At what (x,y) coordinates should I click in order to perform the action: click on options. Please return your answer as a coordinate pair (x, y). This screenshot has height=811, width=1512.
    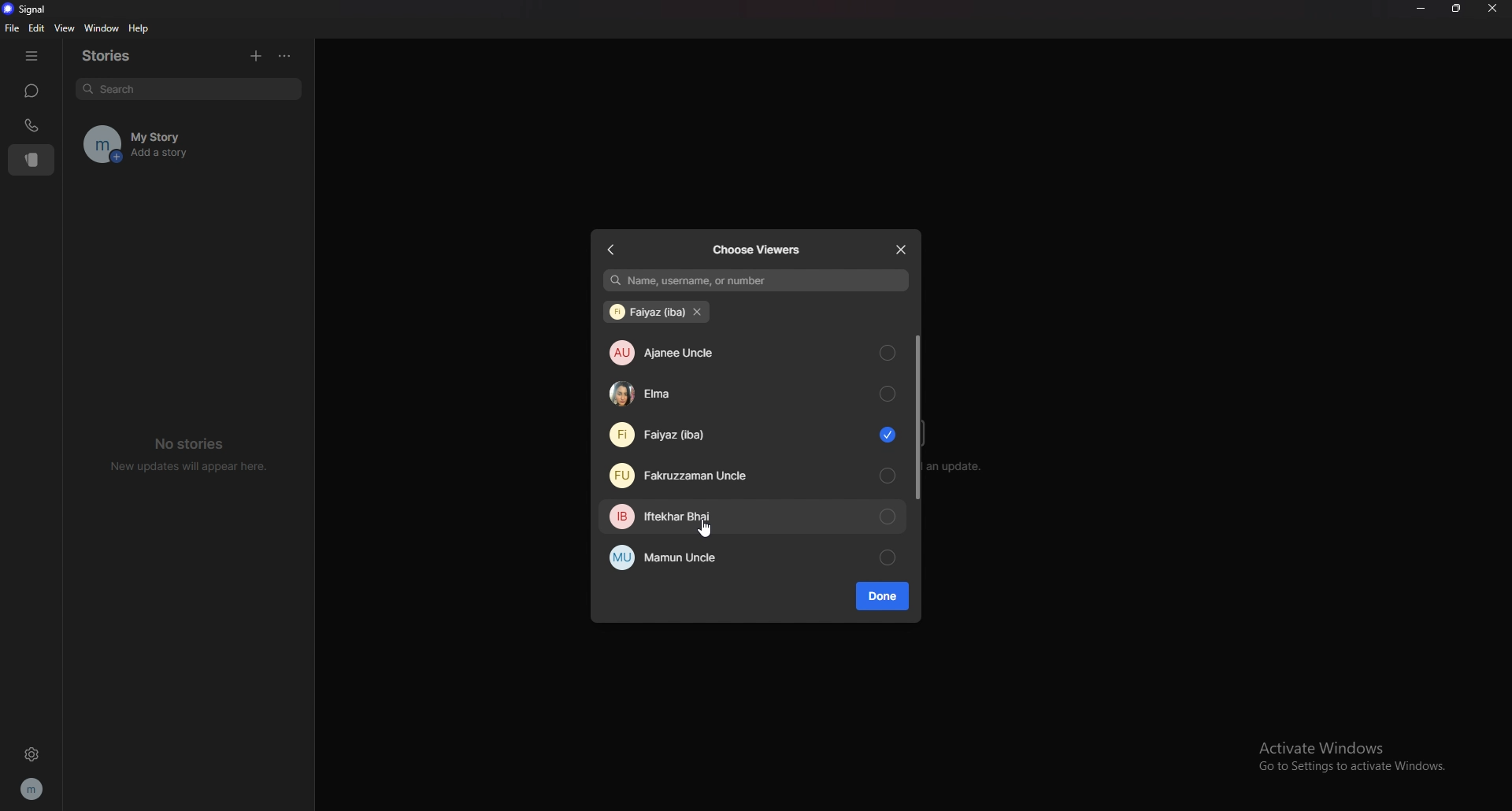
    Looking at the image, I should click on (288, 54).